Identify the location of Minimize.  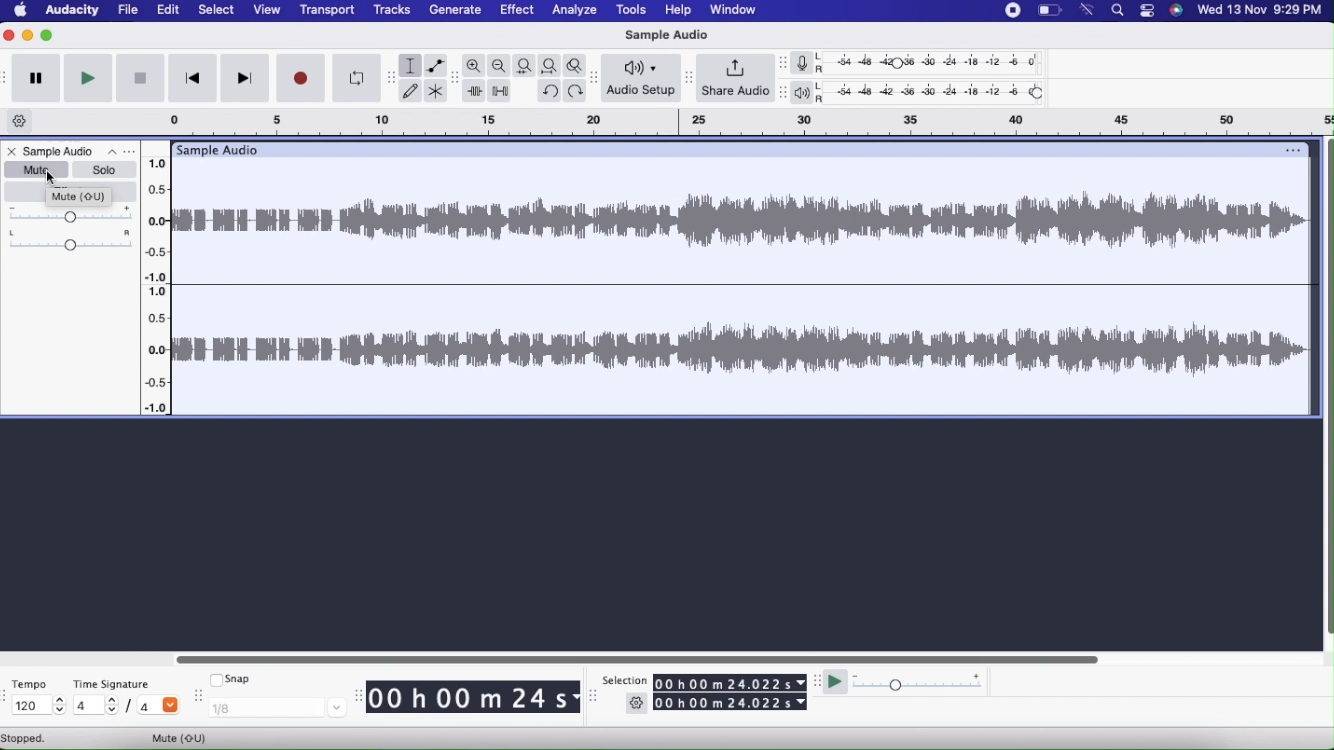
(47, 38).